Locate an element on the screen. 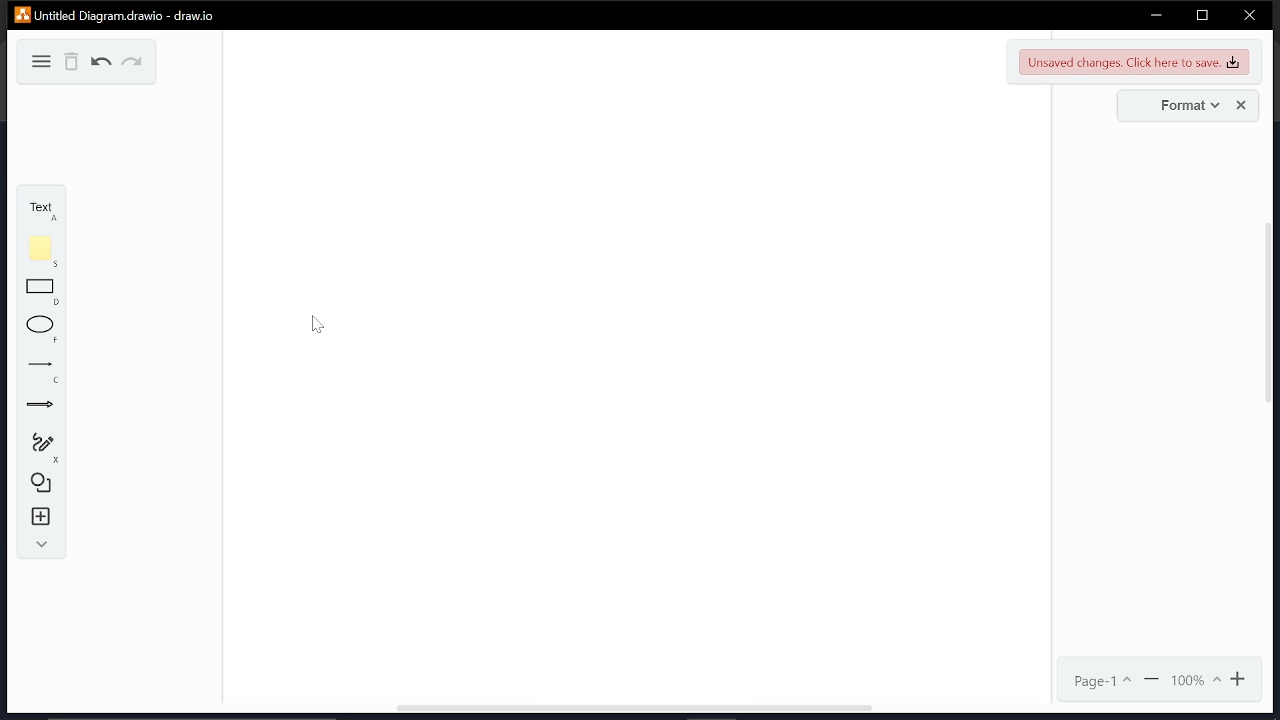 This screenshot has width=1280, height=720. freehand is located at coordinates (42, 447).